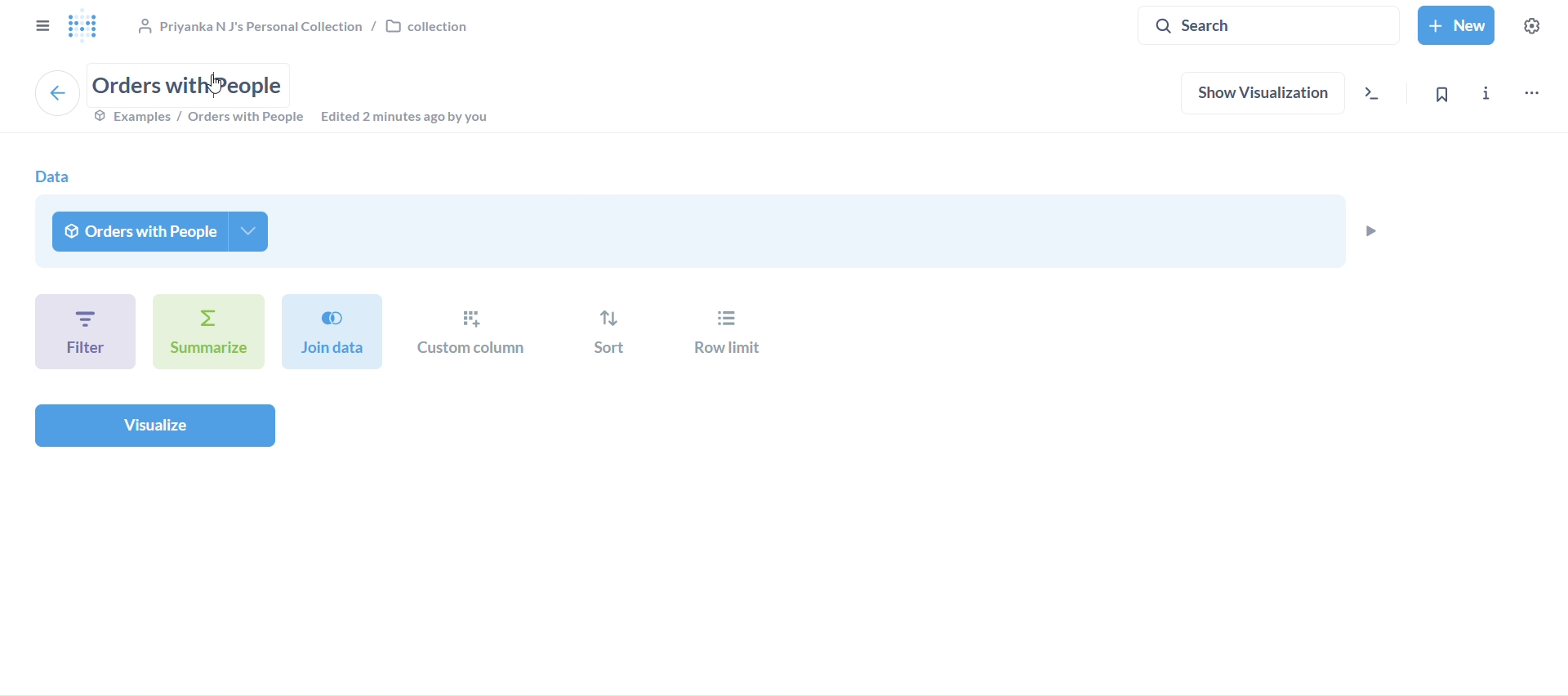 This screenshot has height=696, width=1568. What do you see at coordinates (1531, 94) in the screenshot?
I see `move,trash and more..` at bounding box center [1531, 94].